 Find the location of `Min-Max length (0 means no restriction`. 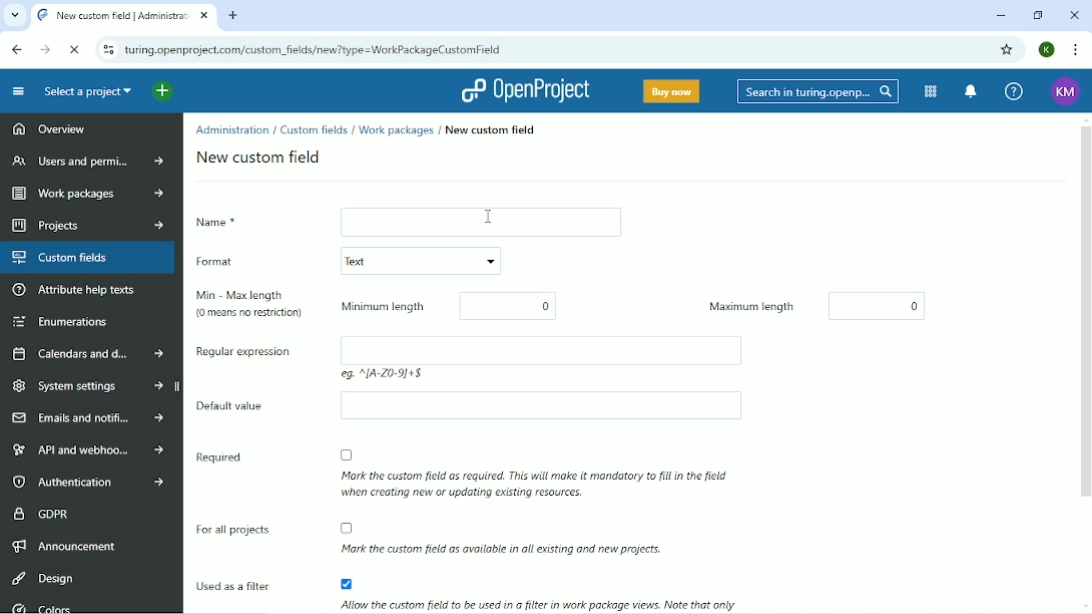

Min-Max length (0 means no restriction is located at coordinates (248, 306).